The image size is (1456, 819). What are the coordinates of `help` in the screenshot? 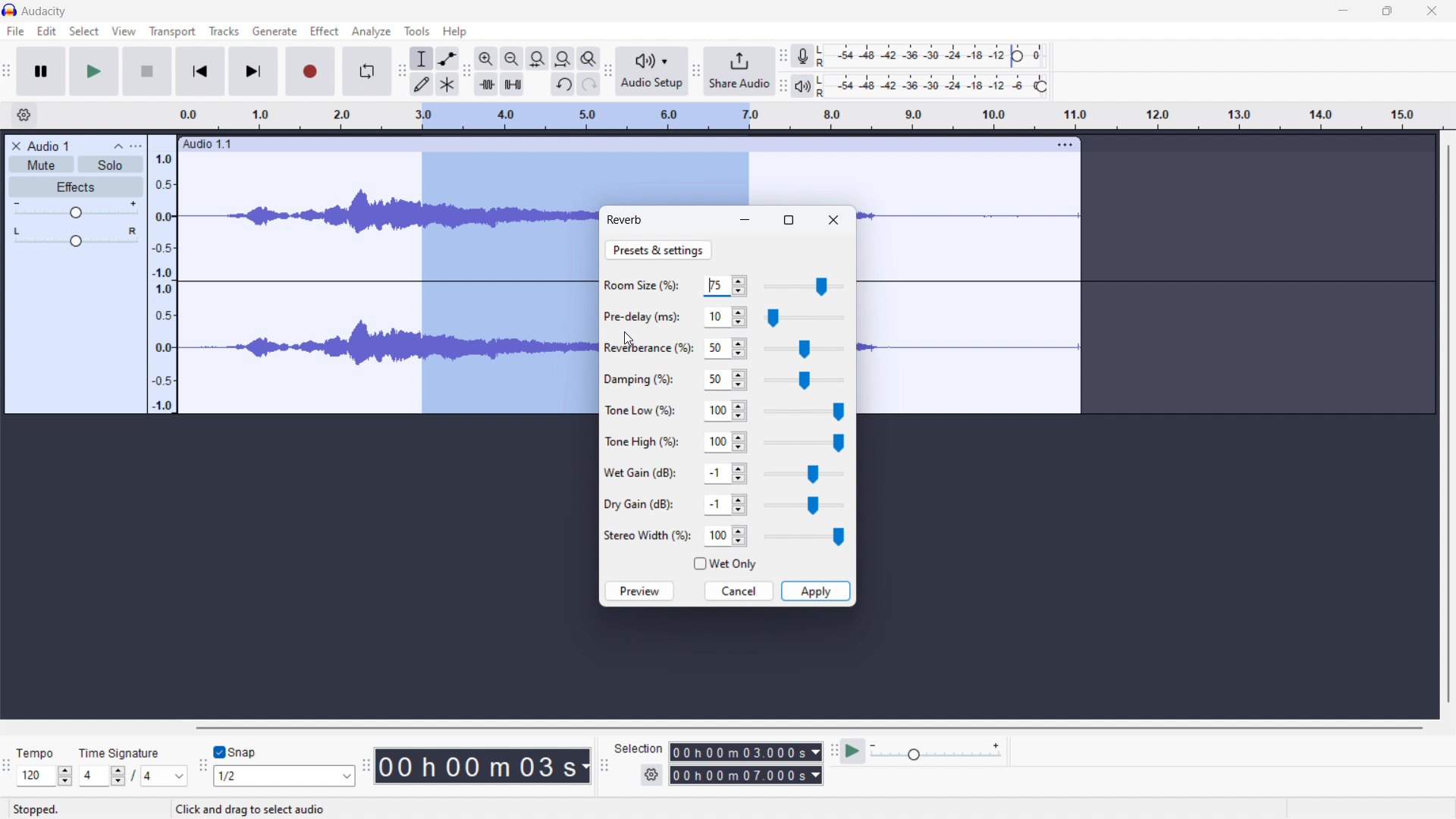 It's located at (453, 32).